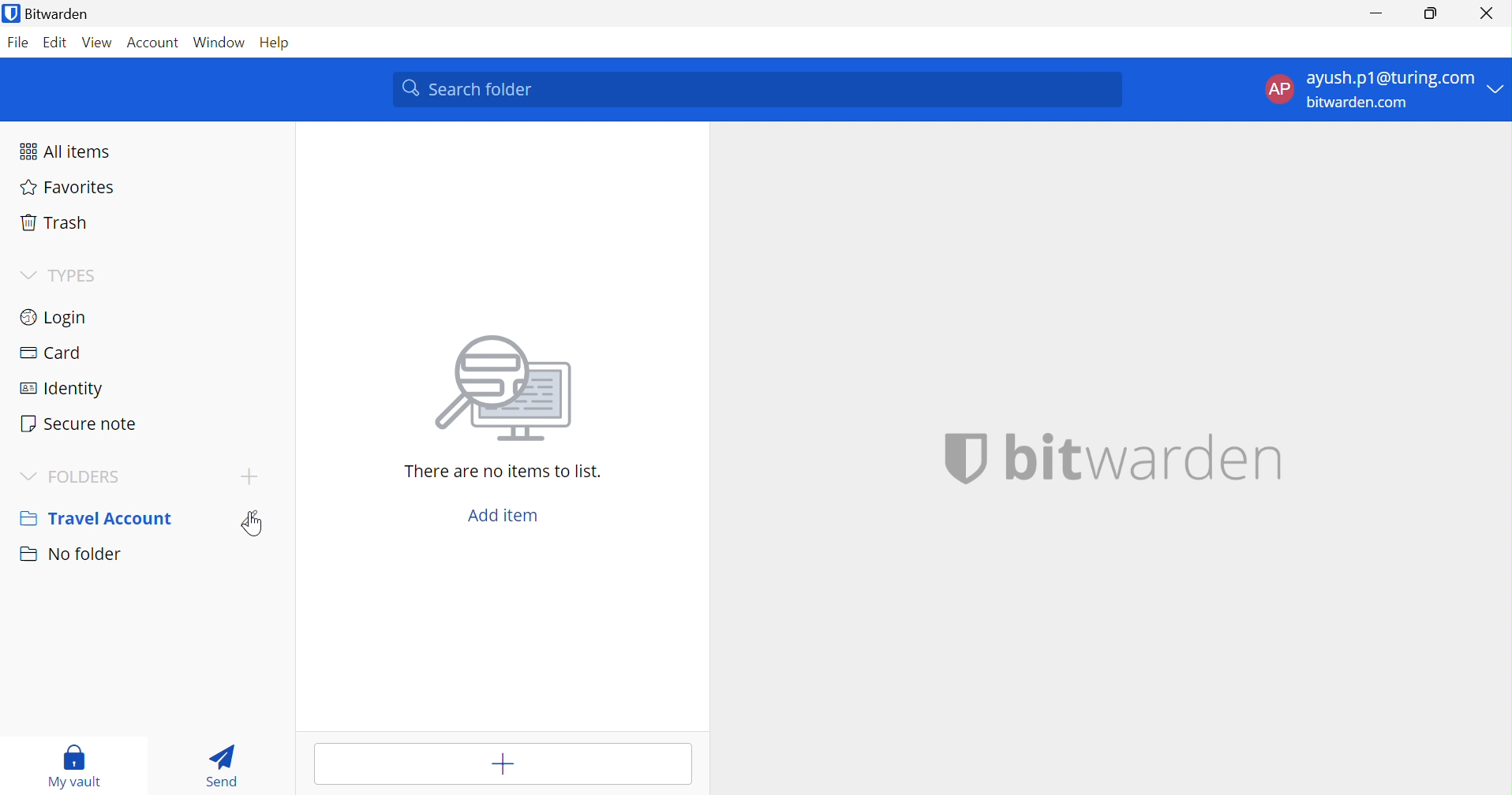 Image resolution: width=1512 pixels, height=795 pixels. What do you see at coordinates (51, 353) in the screenshot?
I see `Card` at bounding box center [51, 353].